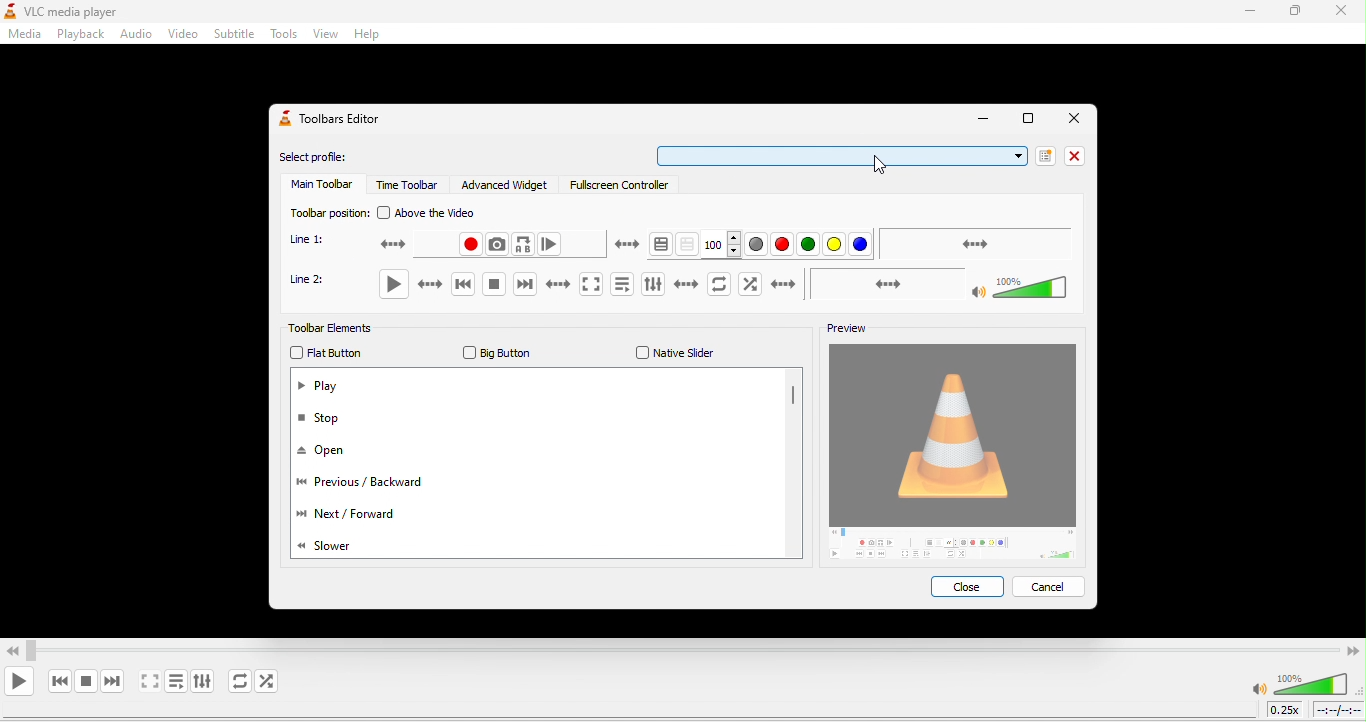  What do you see at coordinates (682, 648) in the screenshot?
I see `Video Scroll bar` at bounding box center [682, 648].